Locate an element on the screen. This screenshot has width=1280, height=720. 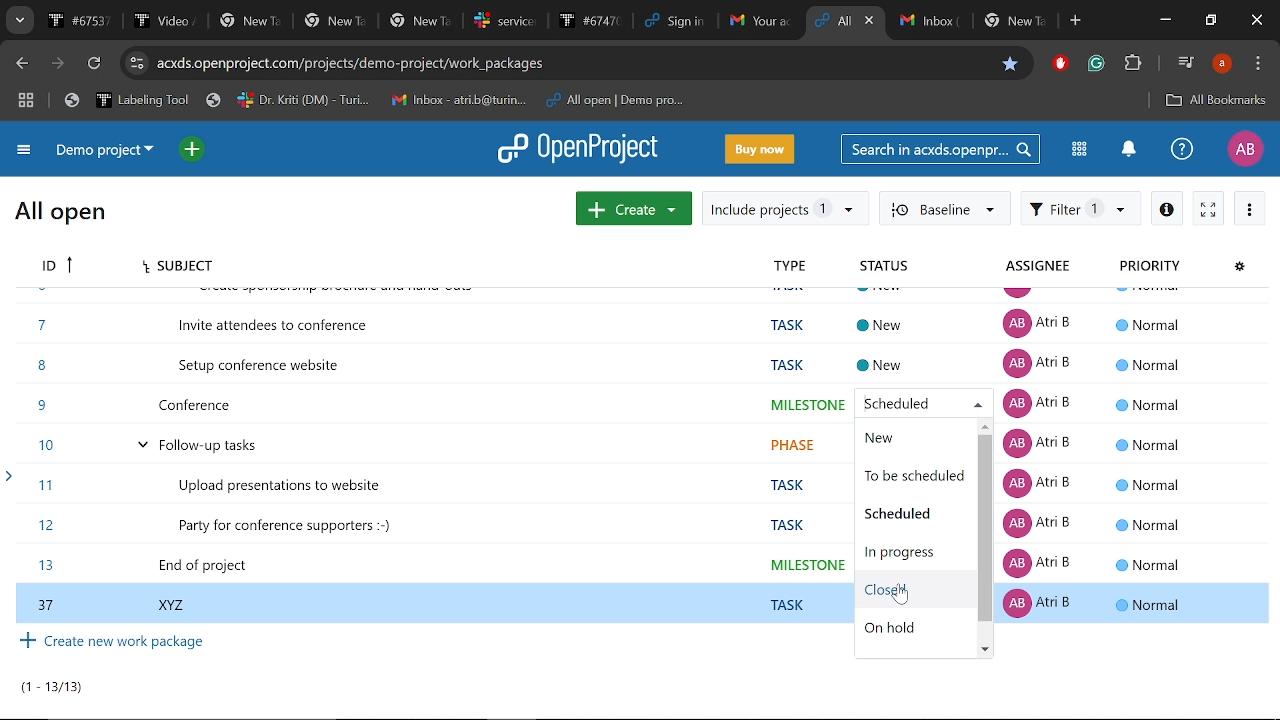
Filter is located at coordinates (1082, 208).